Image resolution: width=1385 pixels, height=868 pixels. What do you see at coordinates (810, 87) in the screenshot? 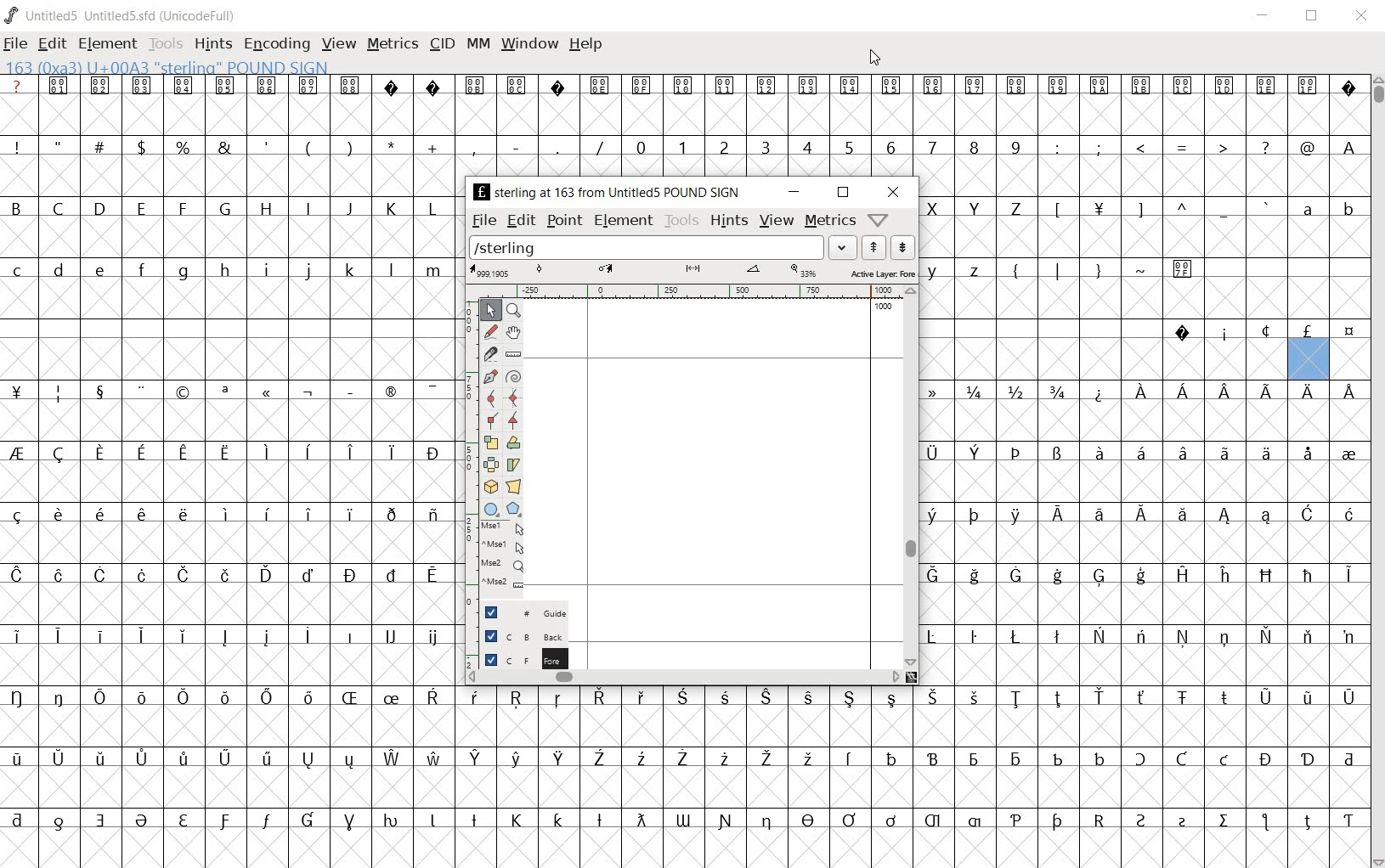
I see `Symbol` at bounding box center [810, 87].